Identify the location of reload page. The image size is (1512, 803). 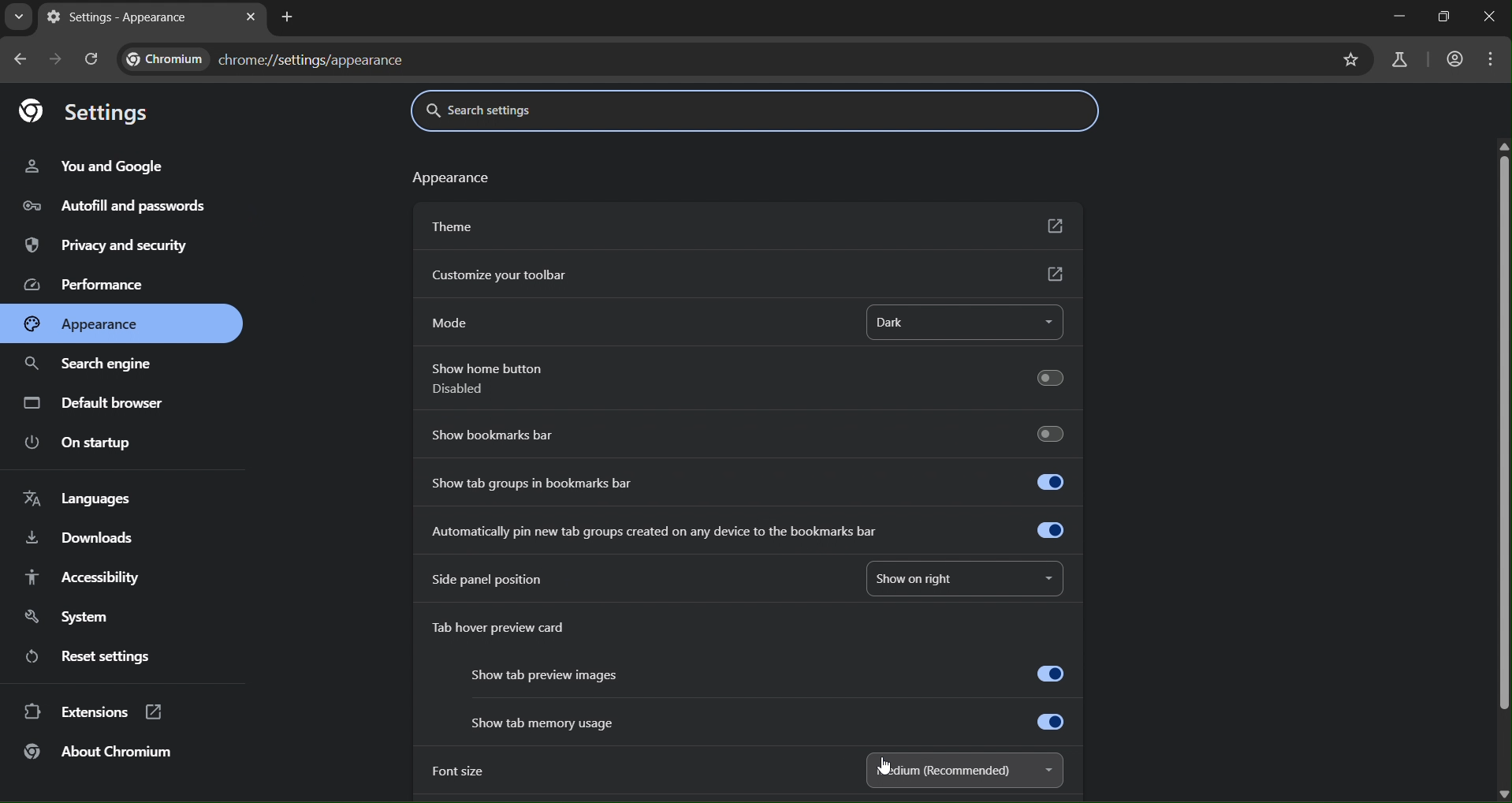
(94, 60).